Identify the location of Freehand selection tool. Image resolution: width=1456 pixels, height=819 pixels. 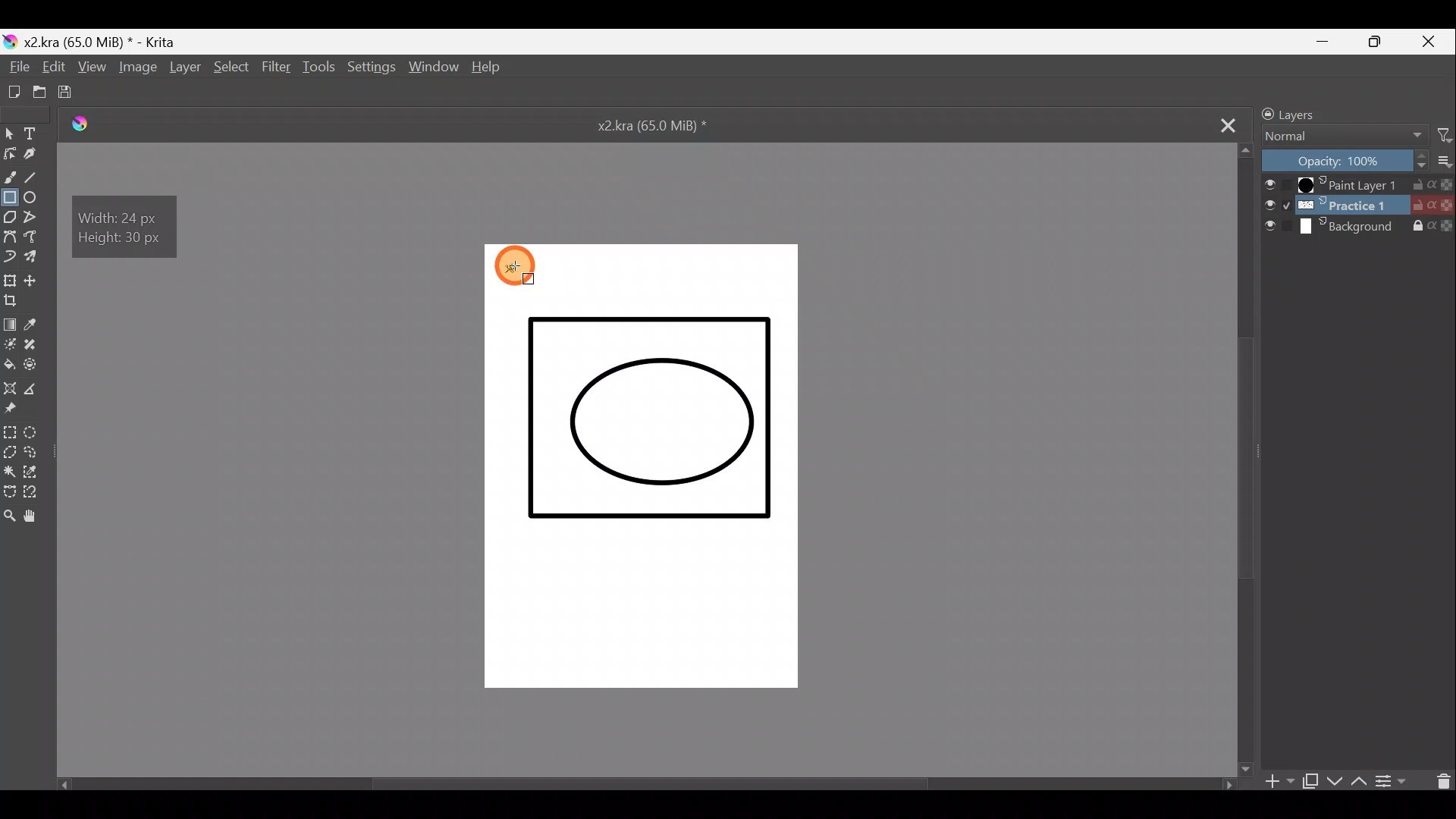
(33, 453).